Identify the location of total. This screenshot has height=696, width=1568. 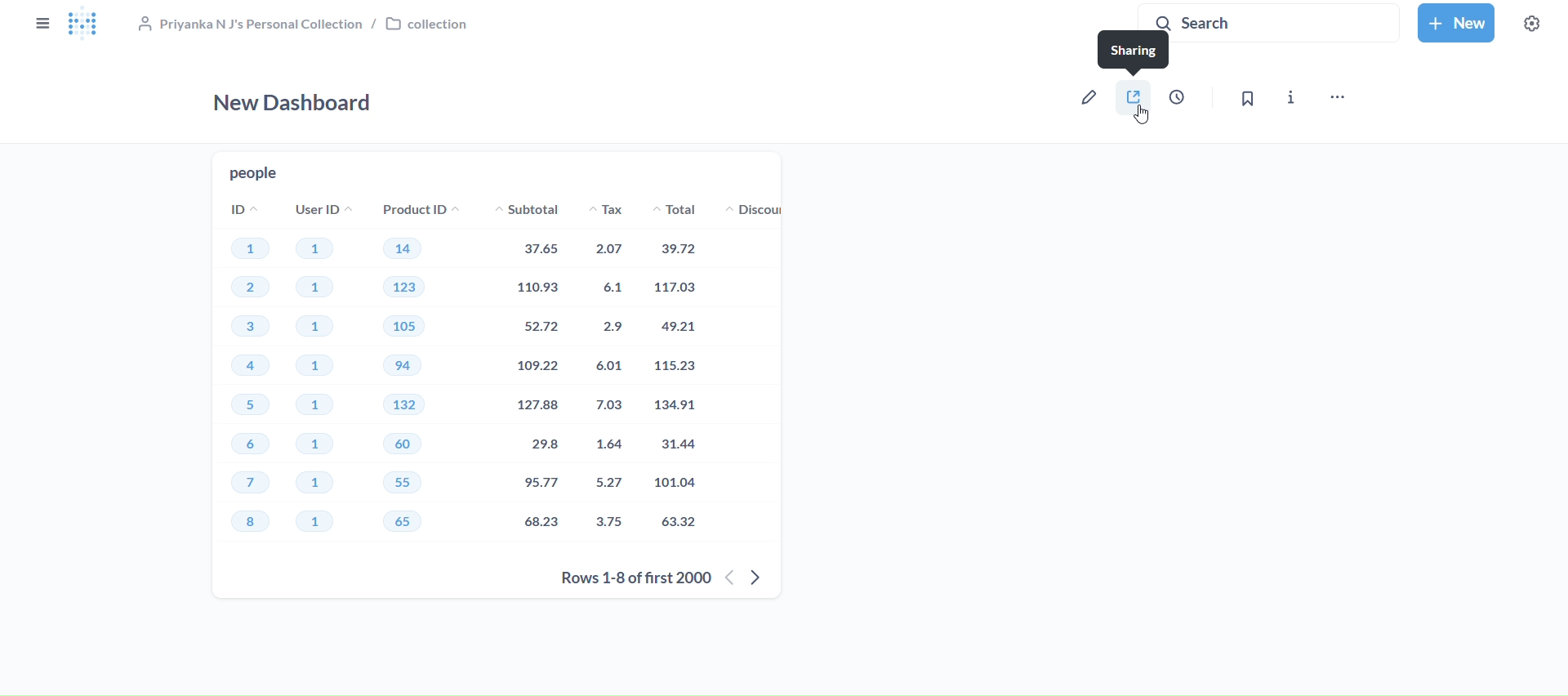
(682, 374).